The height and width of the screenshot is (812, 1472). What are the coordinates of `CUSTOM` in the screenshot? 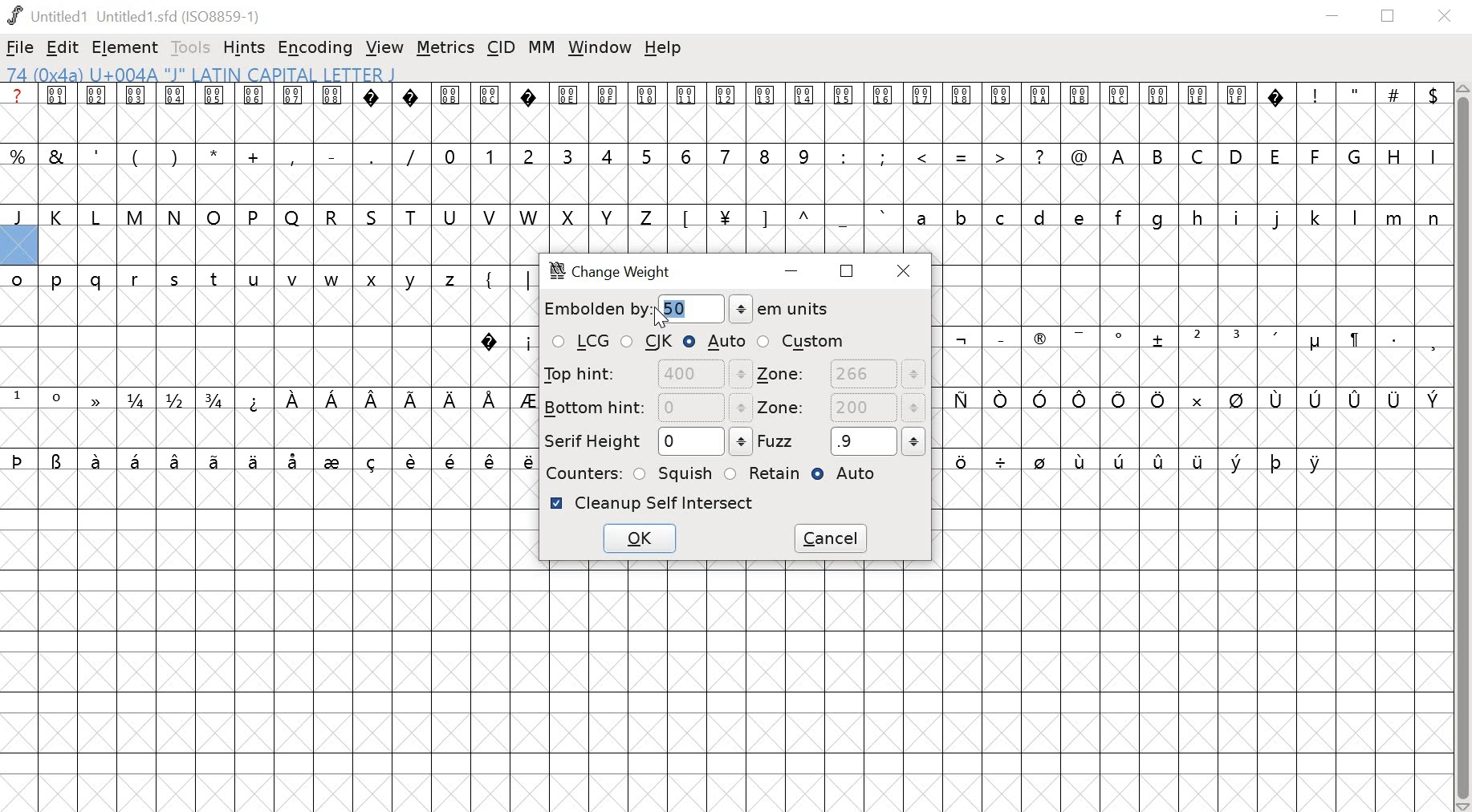 It's located at (802, 341).